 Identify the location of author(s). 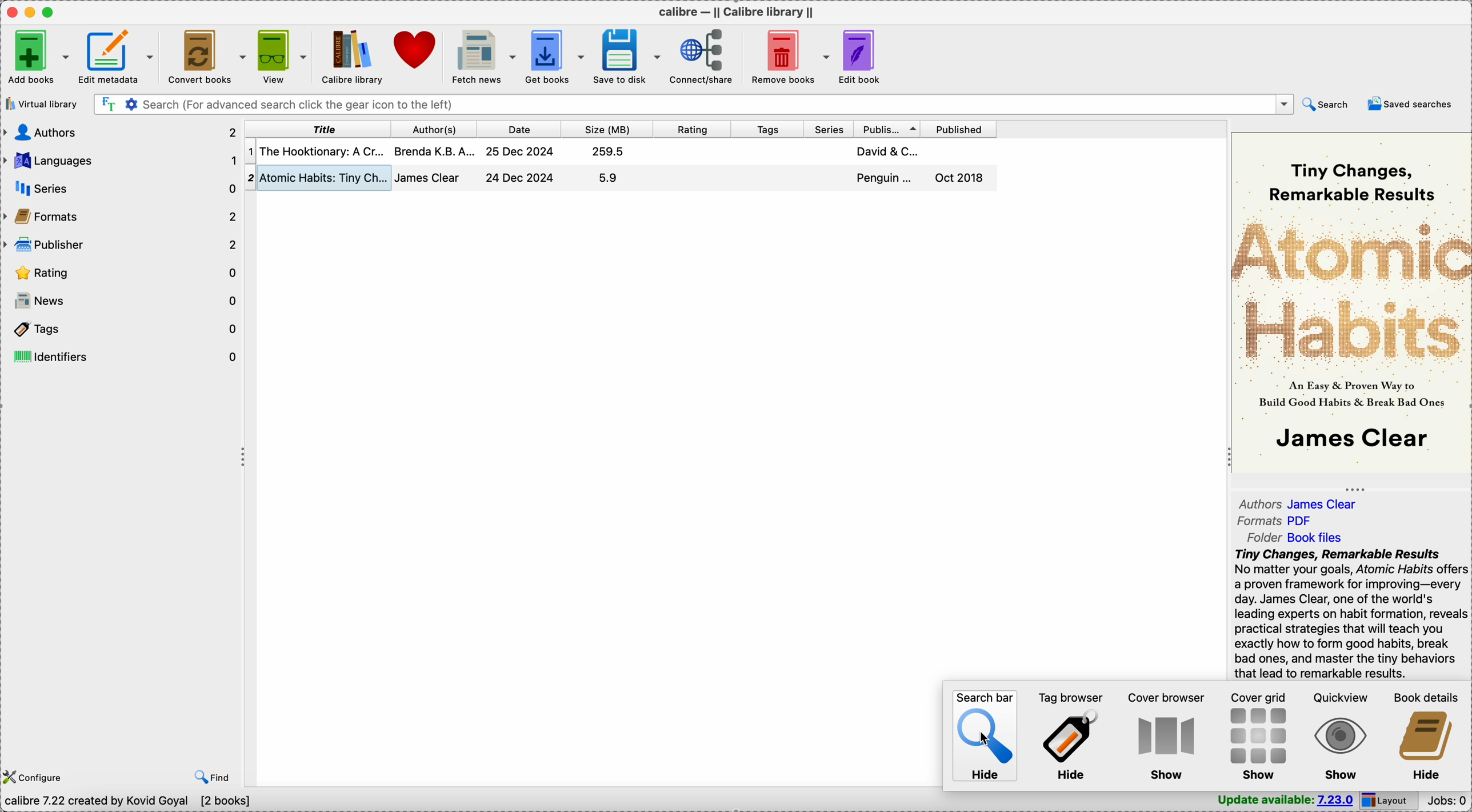
(434, 128).